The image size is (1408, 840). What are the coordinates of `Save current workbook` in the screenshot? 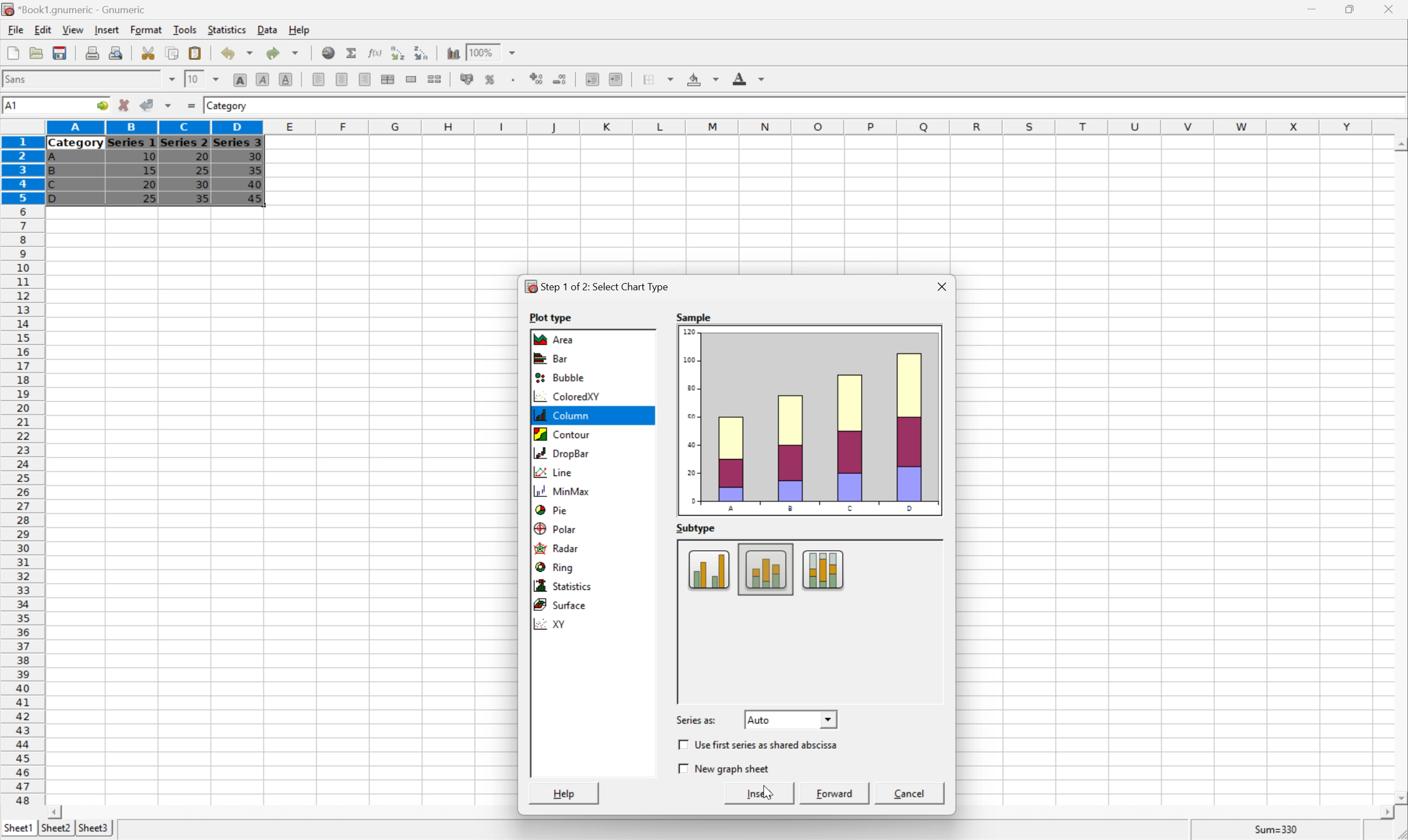 It's located at (59, 52).